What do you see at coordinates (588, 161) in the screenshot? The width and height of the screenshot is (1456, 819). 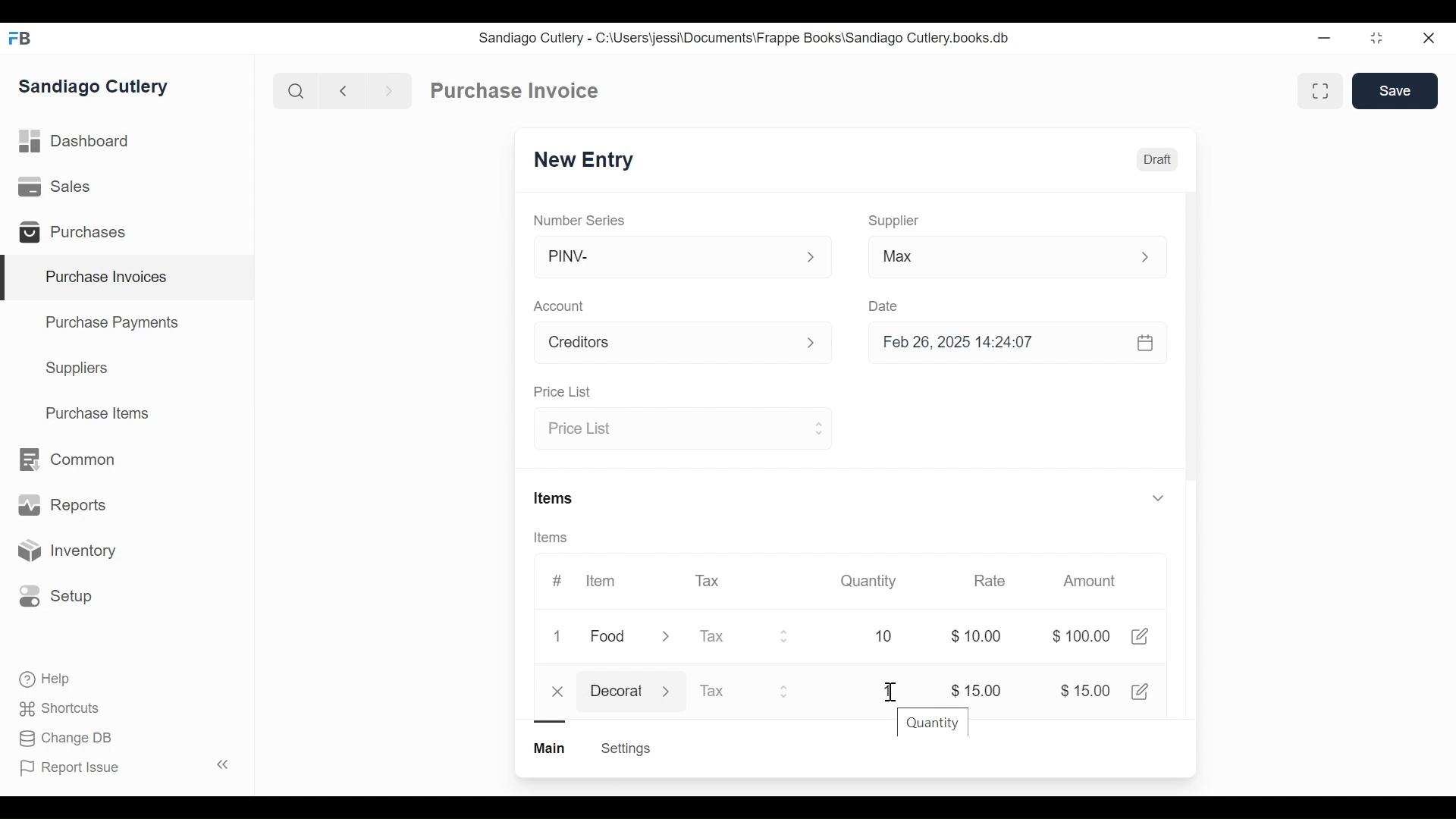 I see `New Entry` at bounding box center [588, 161].